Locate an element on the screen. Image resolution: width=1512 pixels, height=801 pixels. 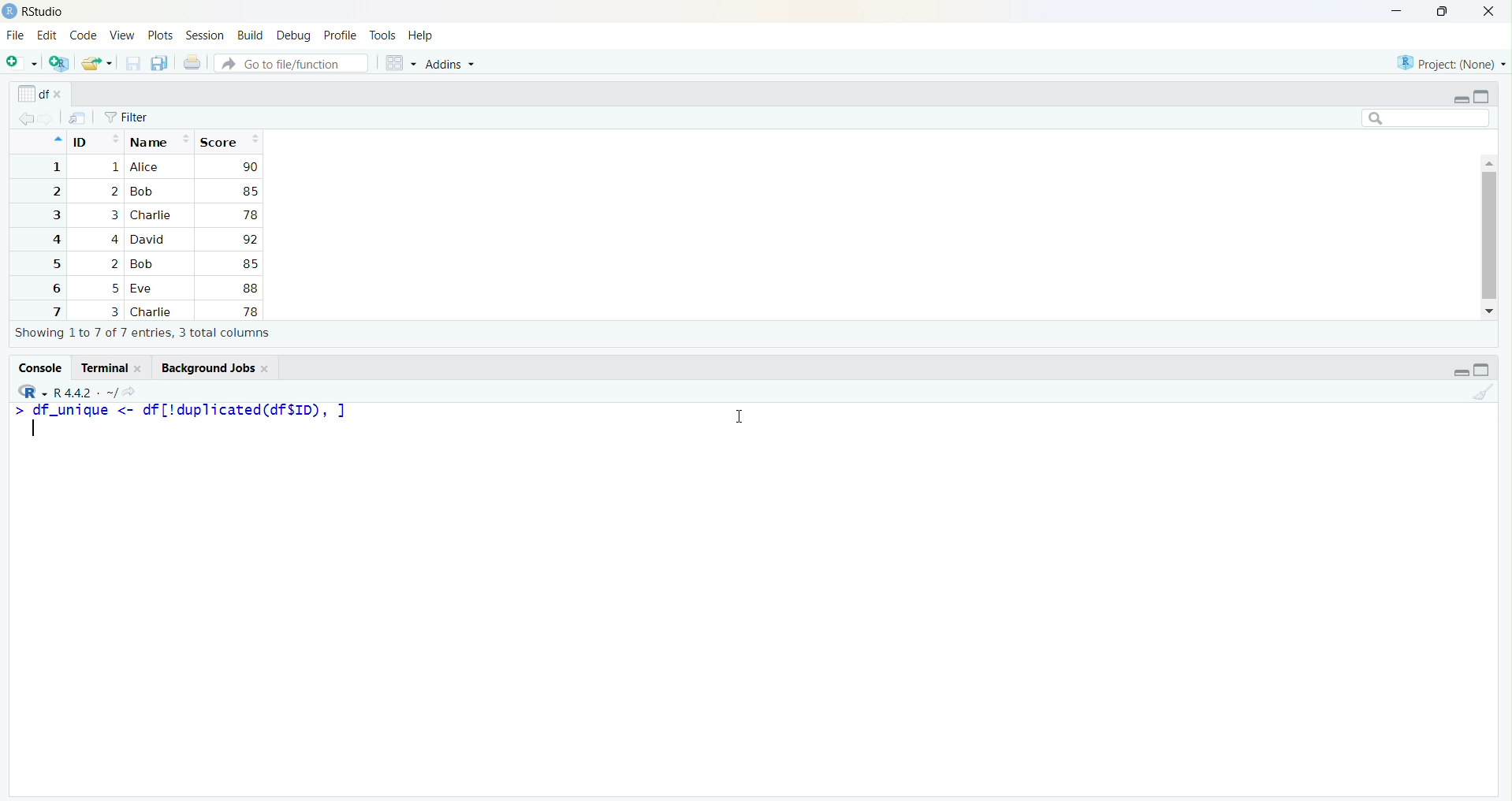
cursor is located at coordinates (736, 418).